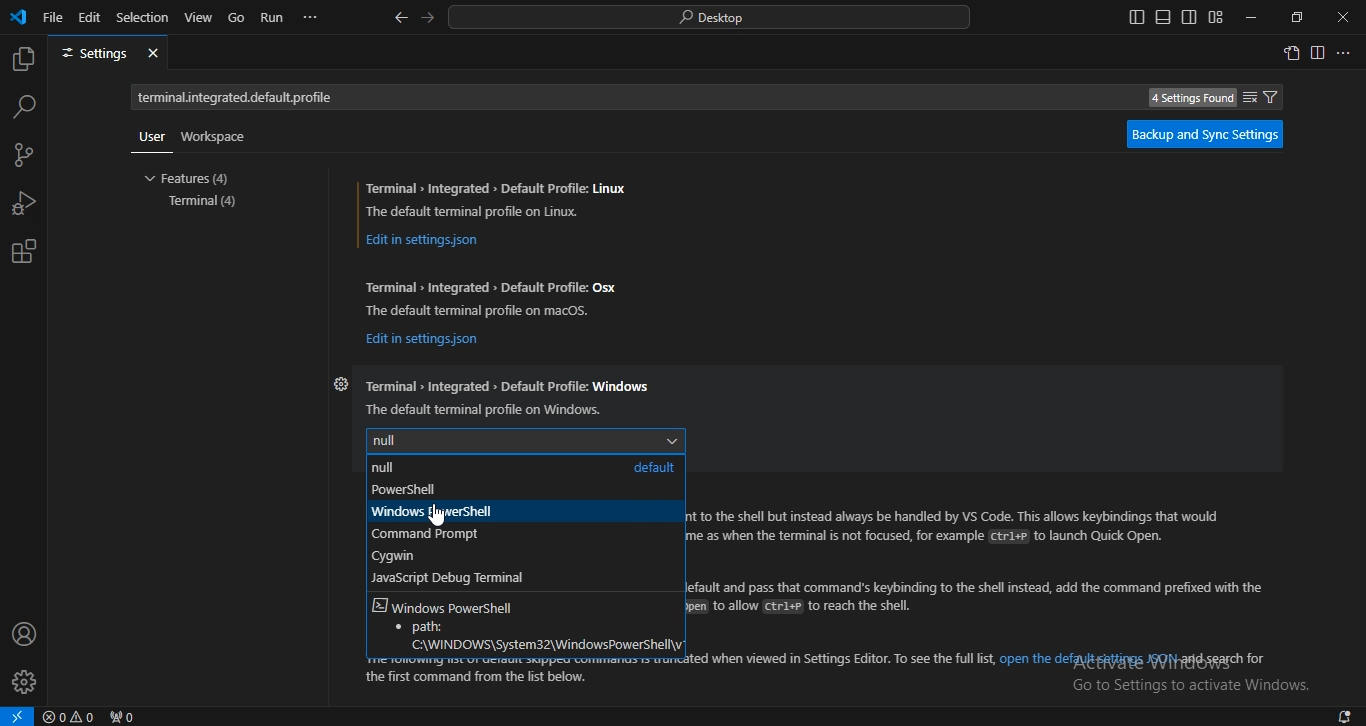 The image size is (1366, 726). What do you see at coordinates (1253, 16) in the screenshot?
I see `minimize` at bounding box center [1253, 16].